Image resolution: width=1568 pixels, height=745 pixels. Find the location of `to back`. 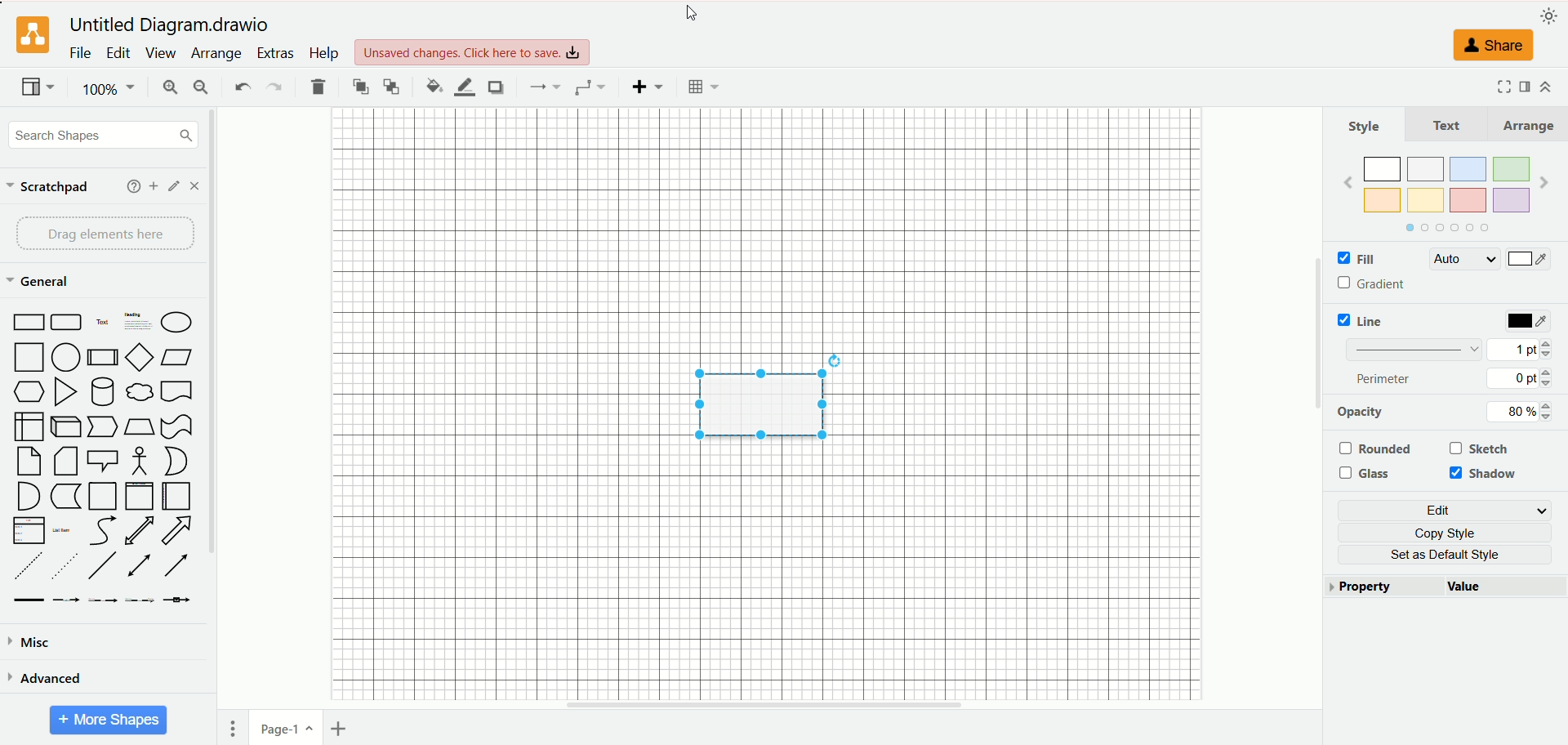

to back is located at coordinates (391, 86).